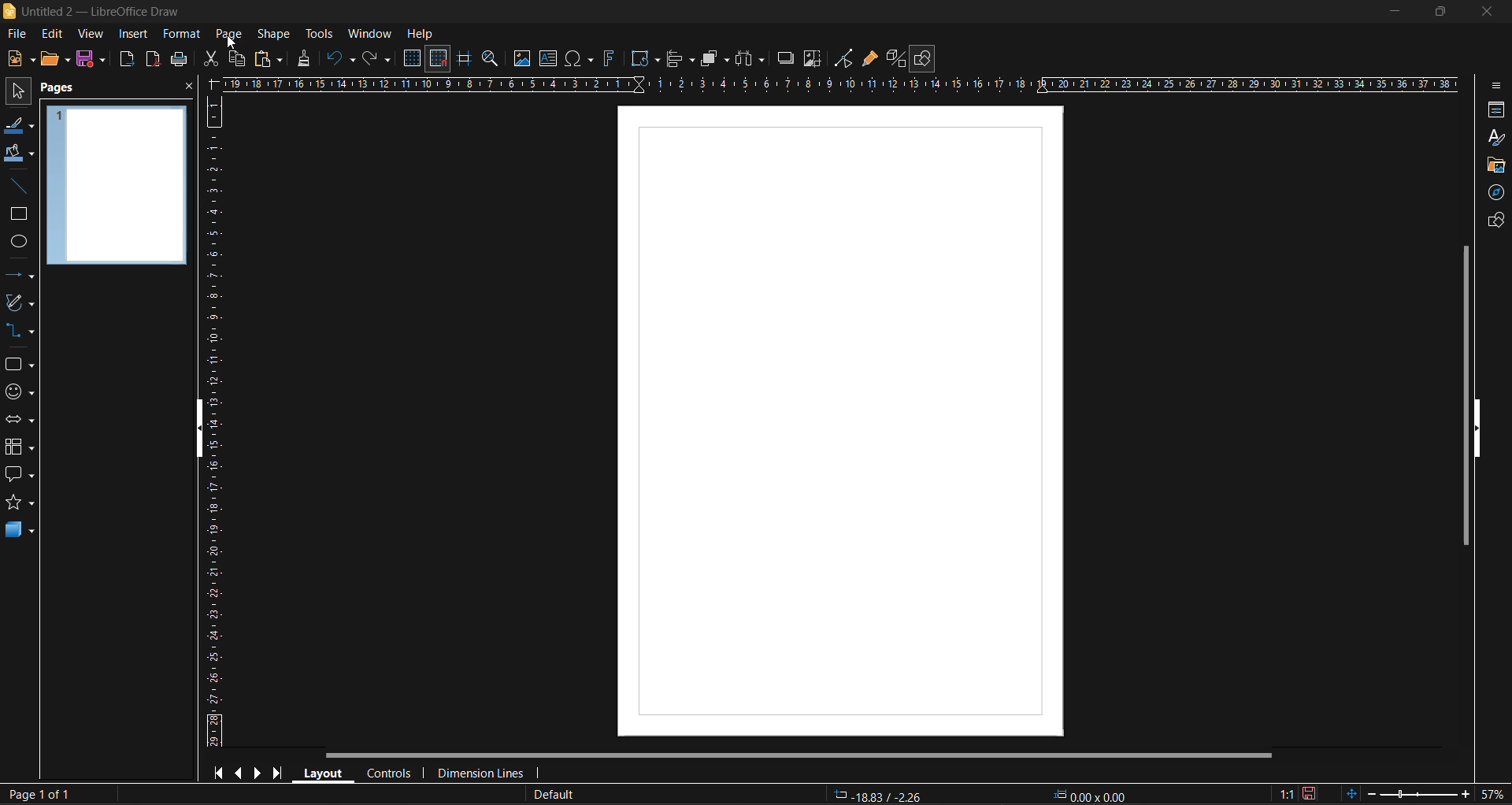  I want to click on show draw functions, so click(925, 58).